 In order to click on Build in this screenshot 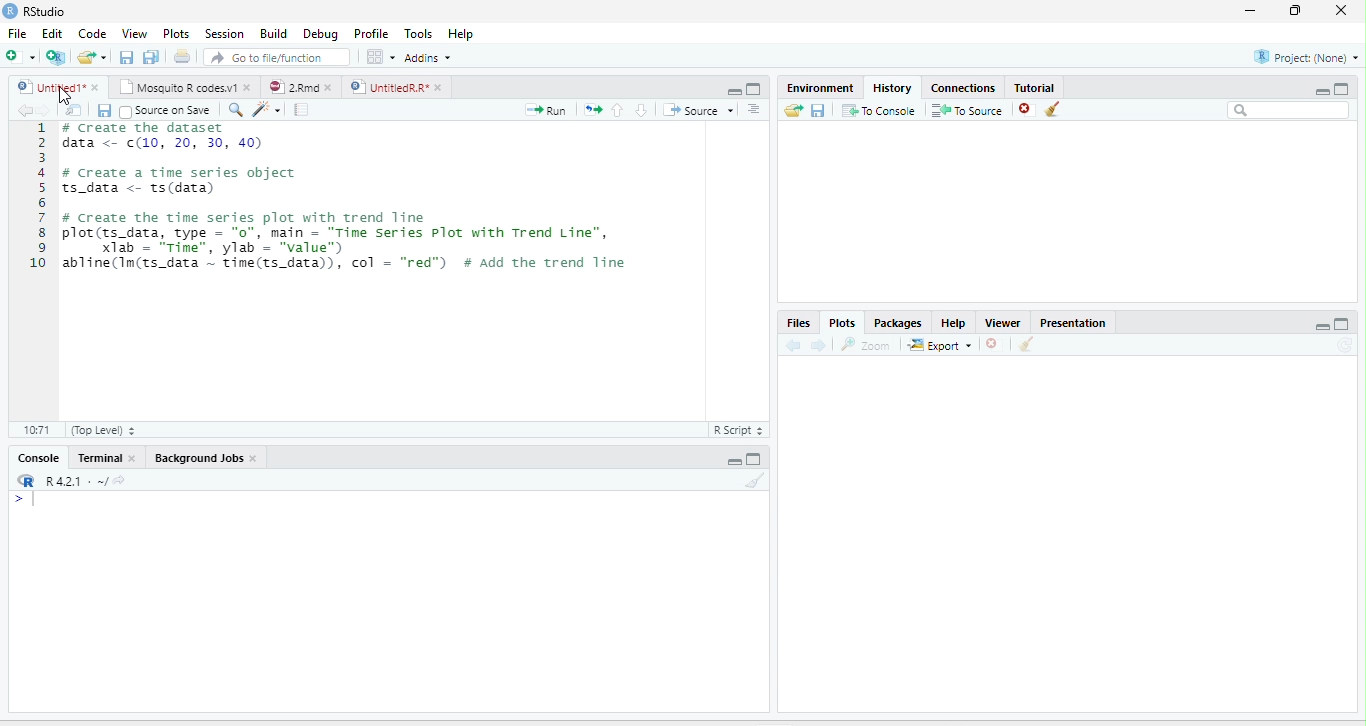, I will do `click(273, 33)`.